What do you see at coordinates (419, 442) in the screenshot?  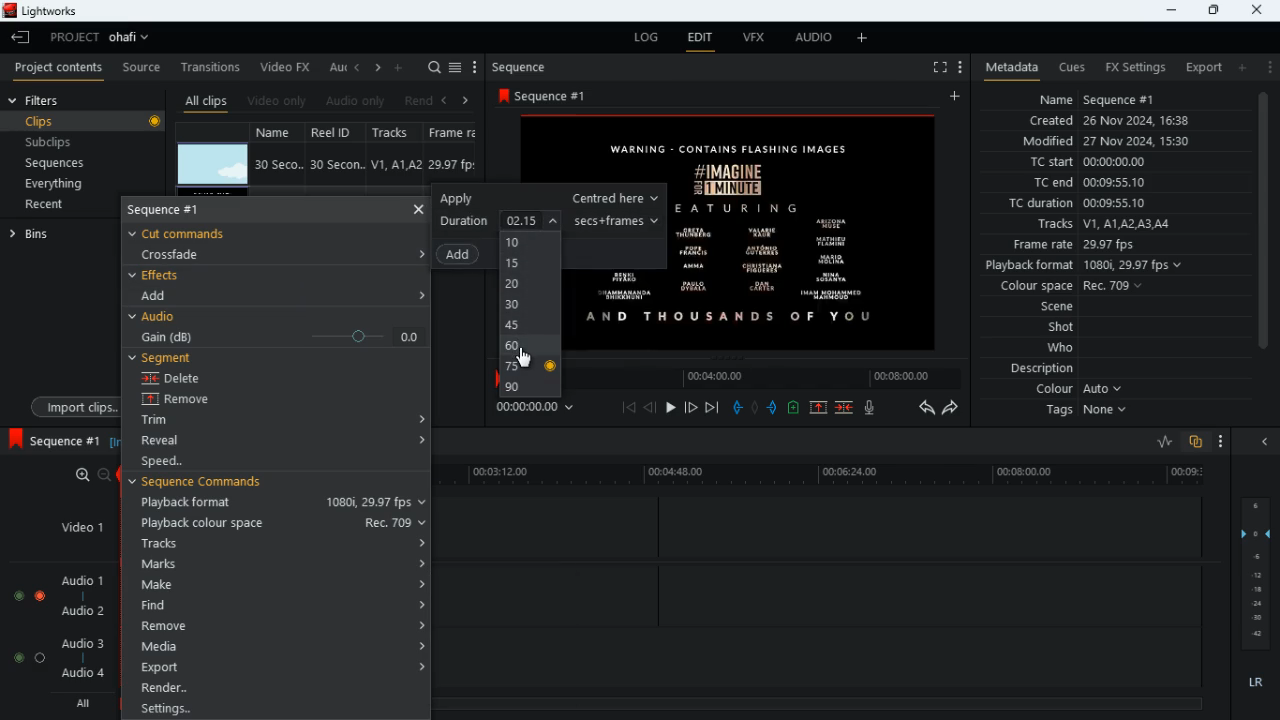 I see `Accordion` at bounding box center [419, 442].